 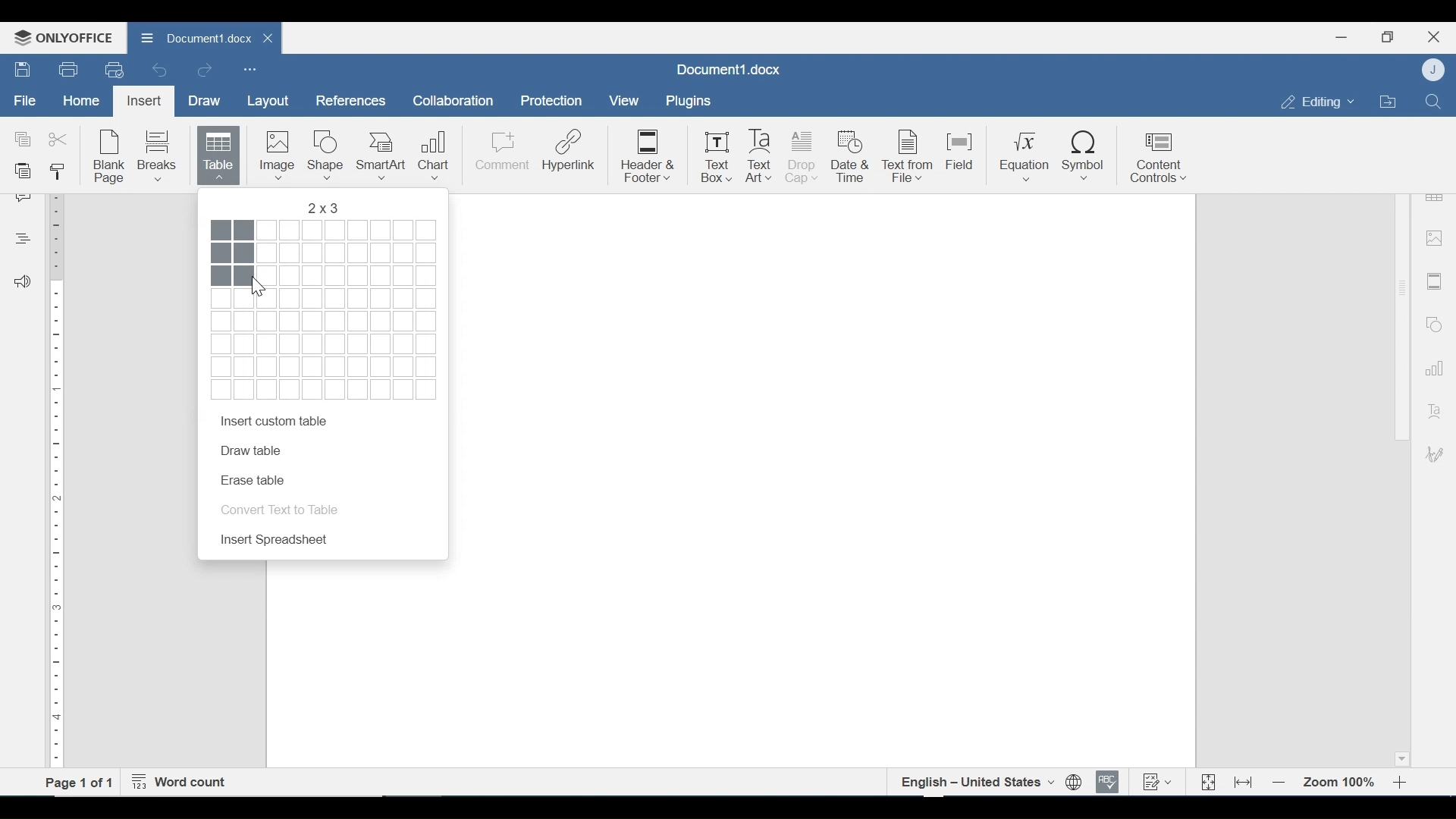 What do you see at coordinates (81, 101) in the screenshot?
I see `Home` at bounding box center [81, 101].